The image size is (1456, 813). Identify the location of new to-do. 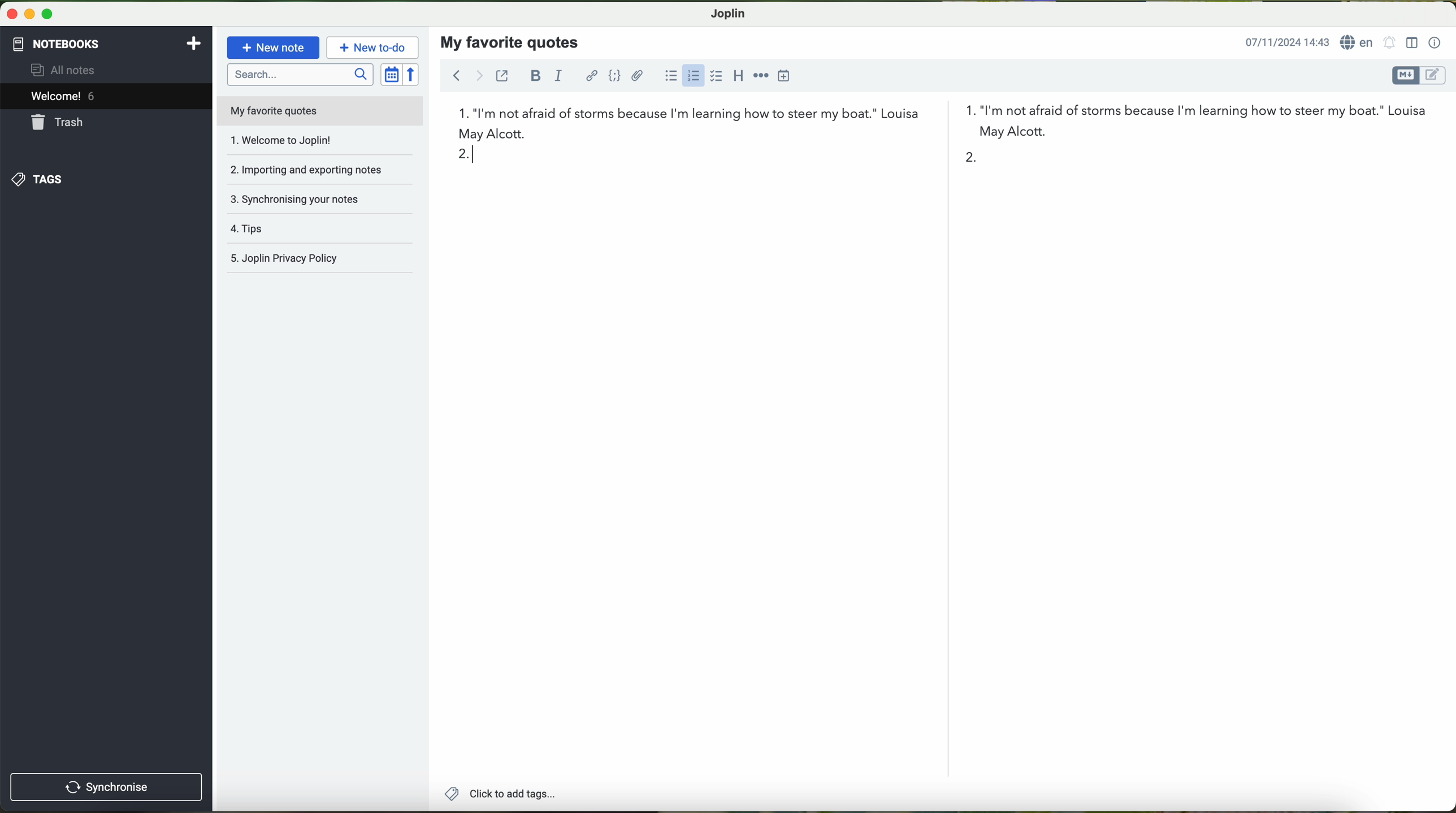
(374, 48).